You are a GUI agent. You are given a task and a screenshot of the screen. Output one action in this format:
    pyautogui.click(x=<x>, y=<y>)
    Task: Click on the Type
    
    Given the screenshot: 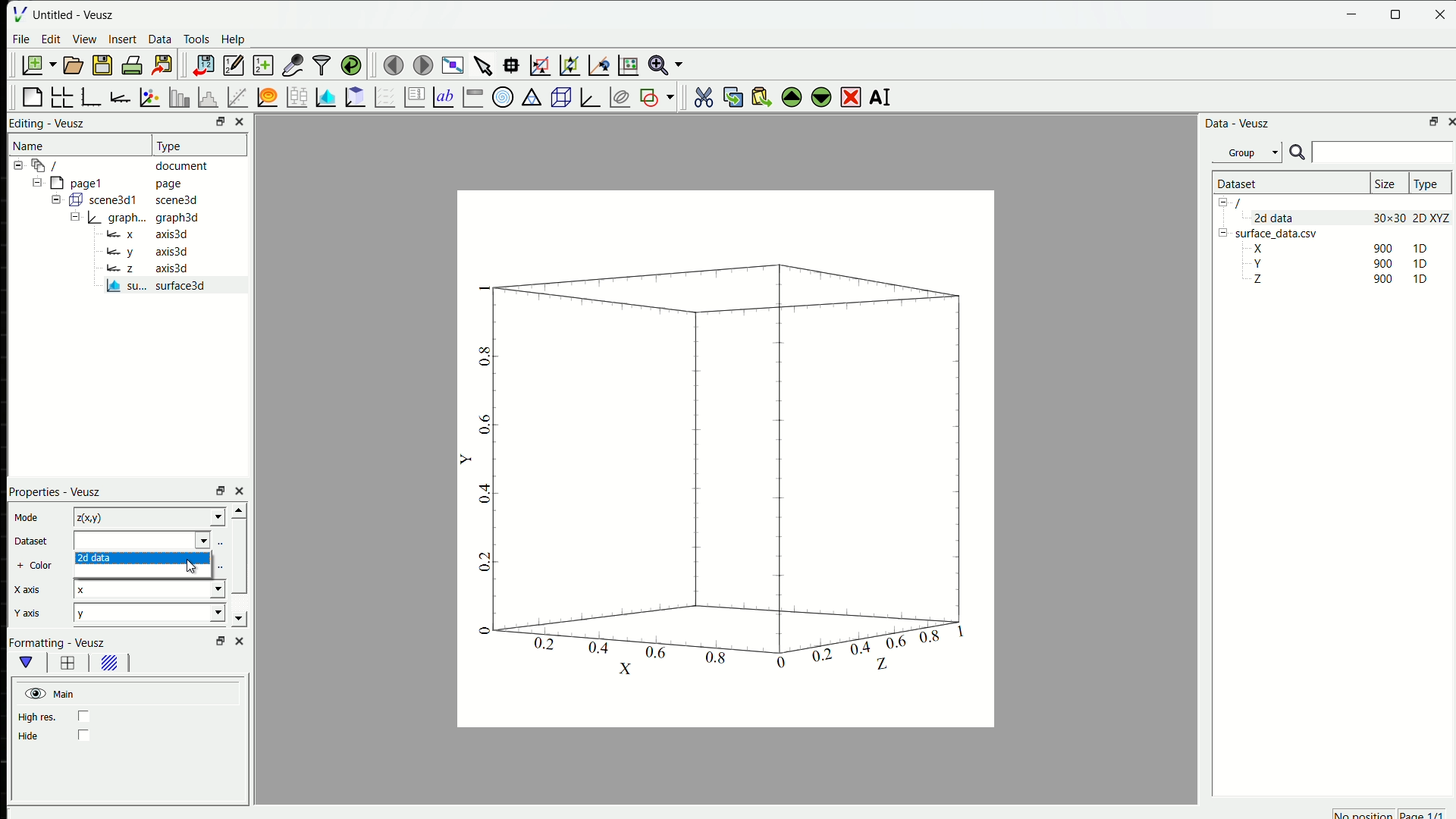 What is the action you would take?
    pyautogui.click(x=1427, y=184)
    